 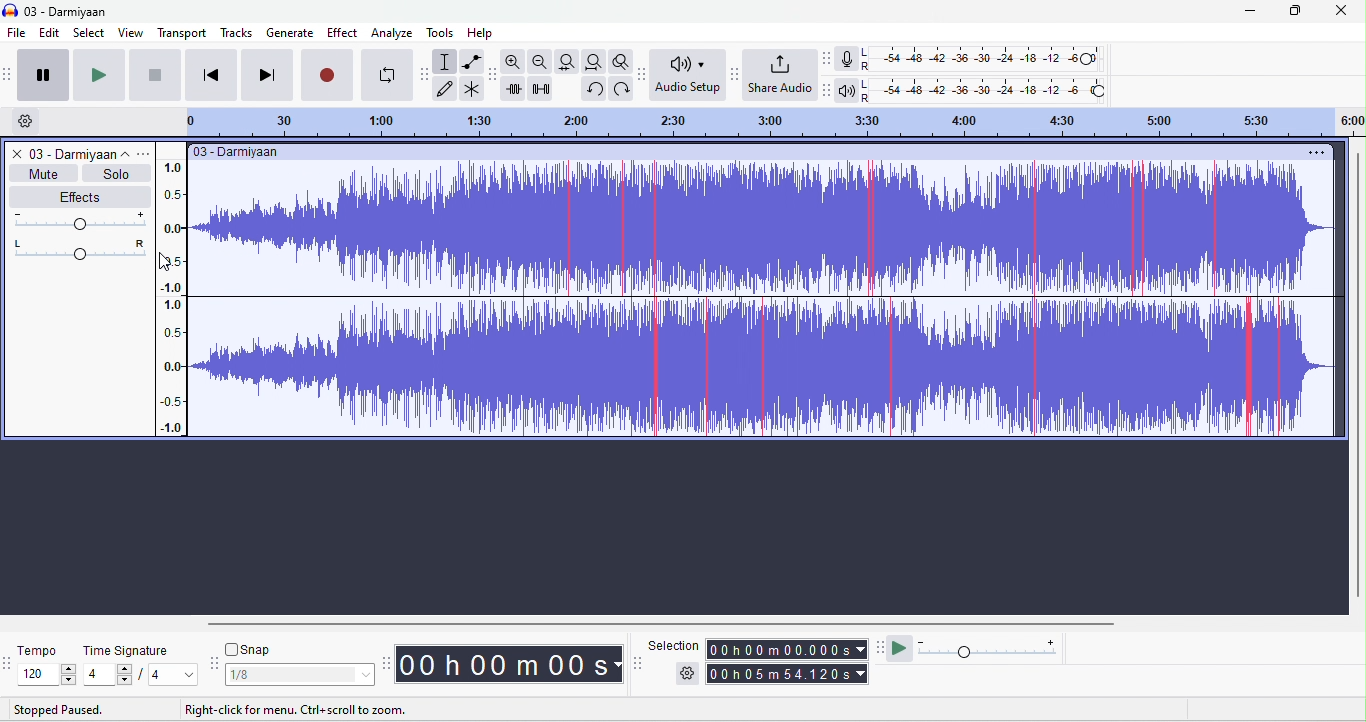 I want to click on time signature, so click(x=129, y=651).